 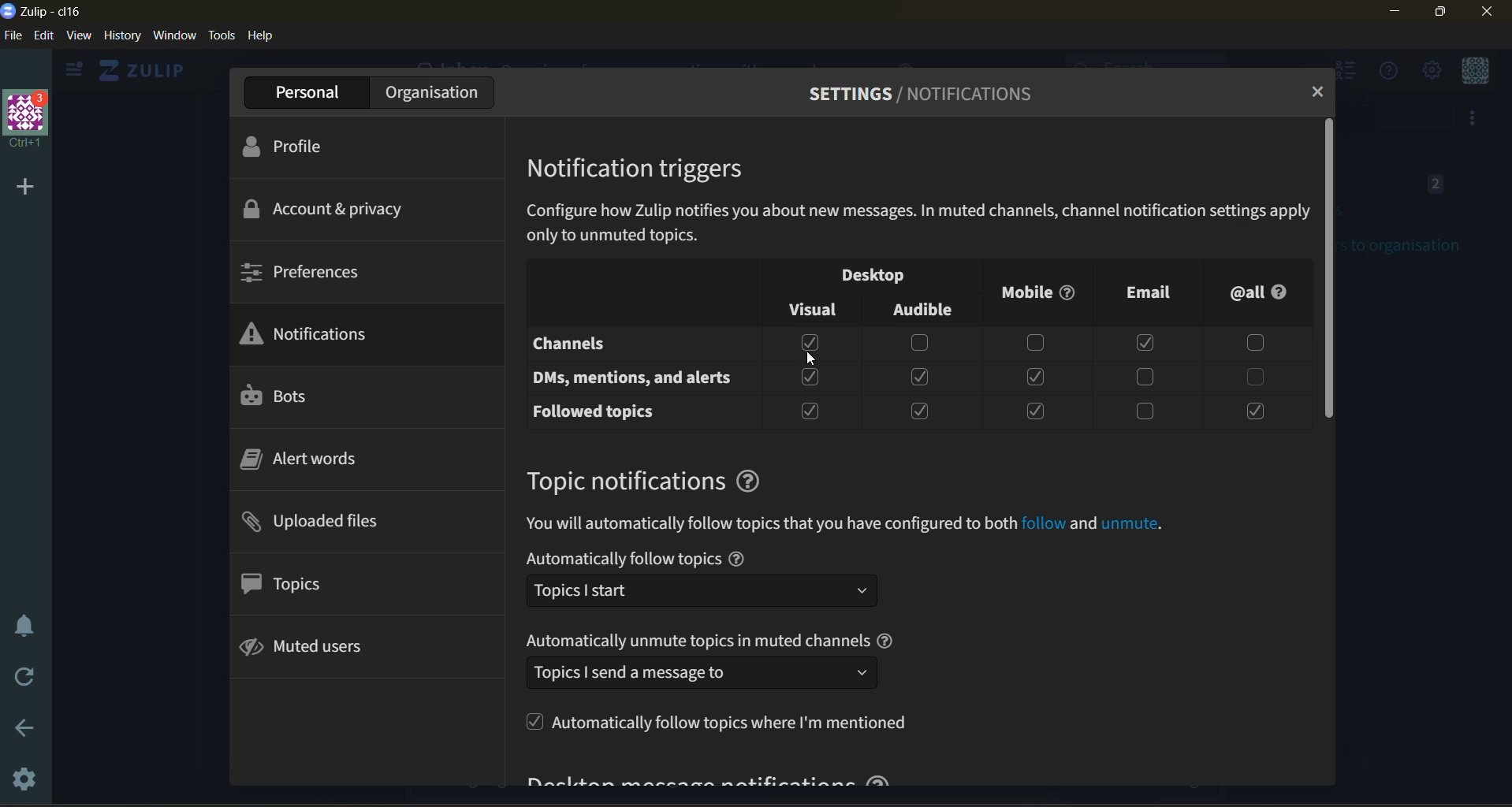 I want to click on organisation, so click(x=436, y=93).